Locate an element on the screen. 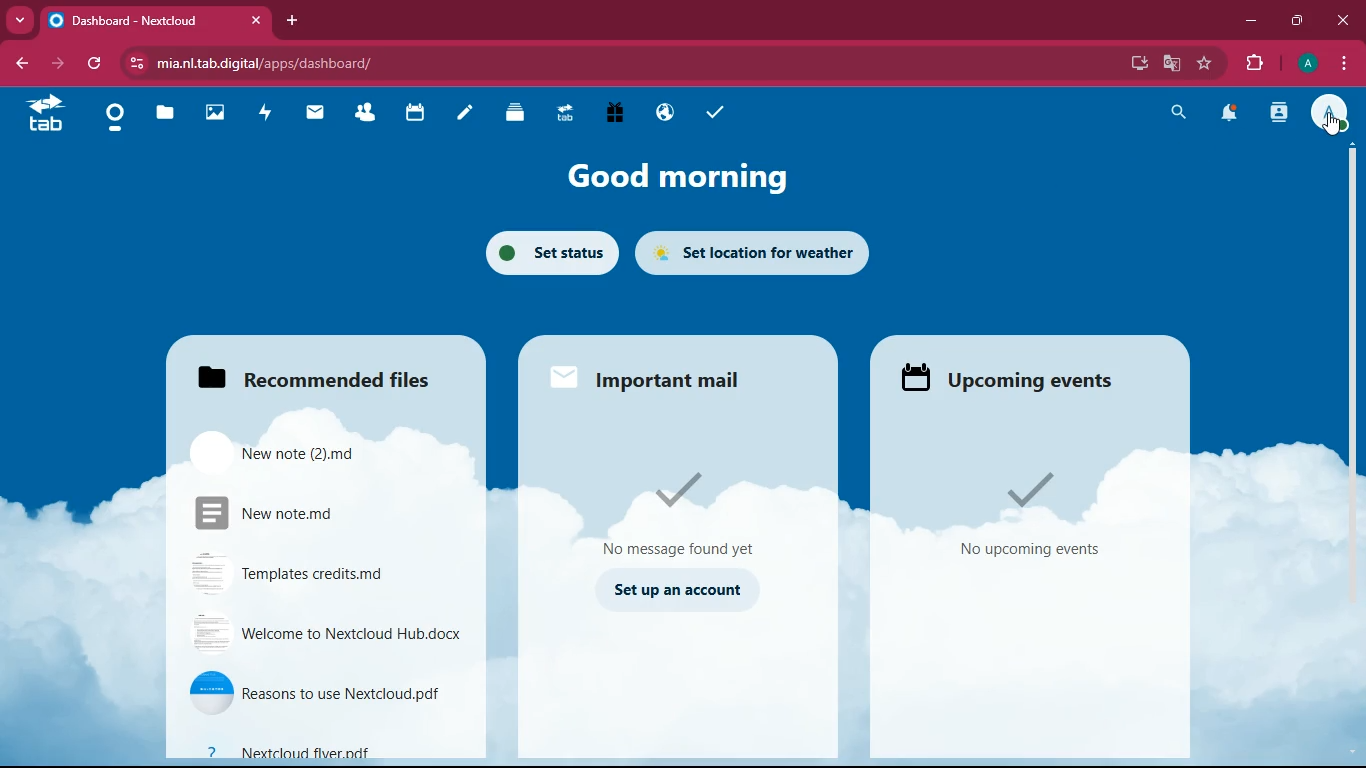  friends is located at coordinates (361, 114).